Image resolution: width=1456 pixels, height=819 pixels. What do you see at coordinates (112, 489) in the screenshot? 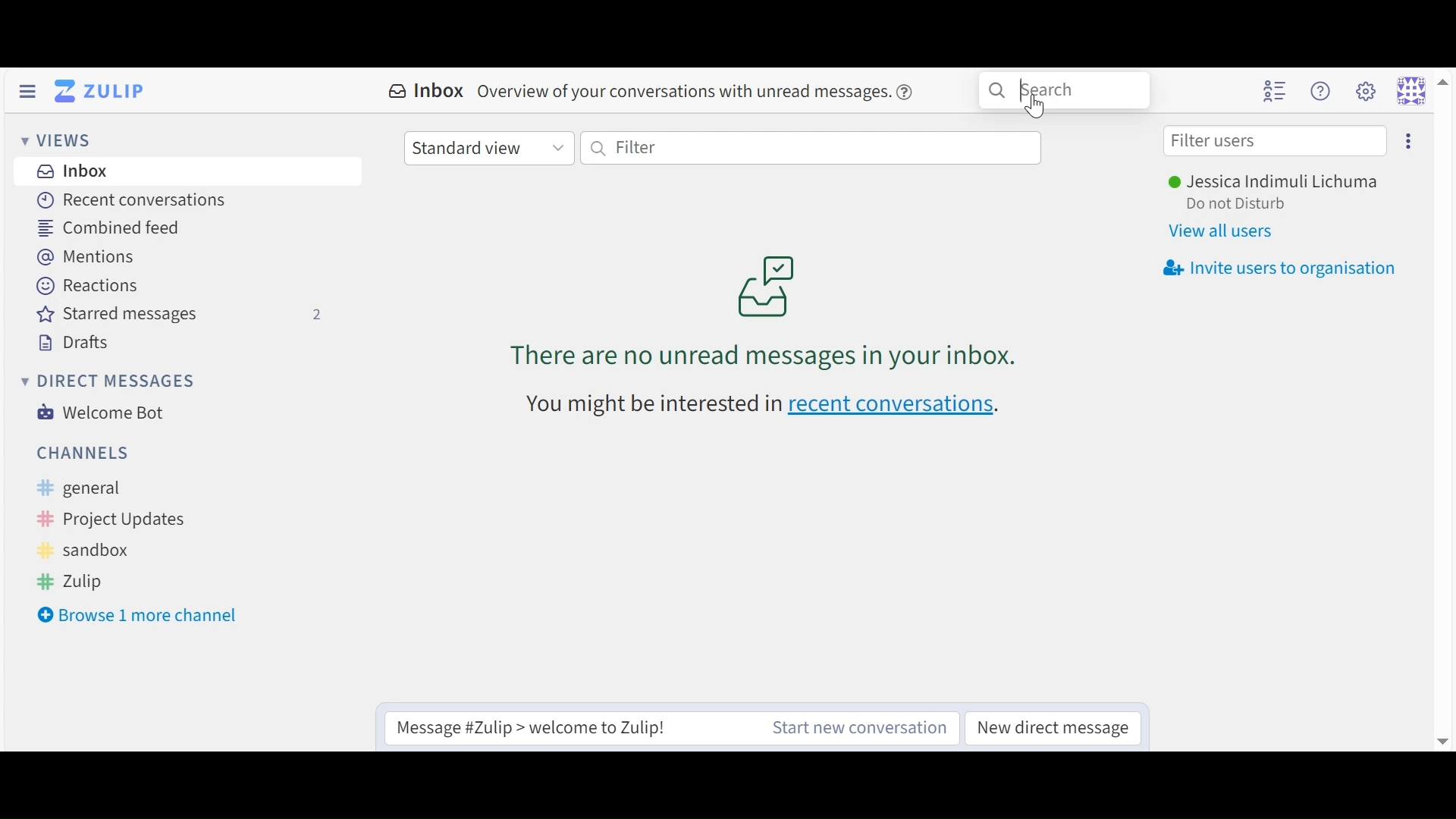
I see `General` at bounding box center [112, 489].